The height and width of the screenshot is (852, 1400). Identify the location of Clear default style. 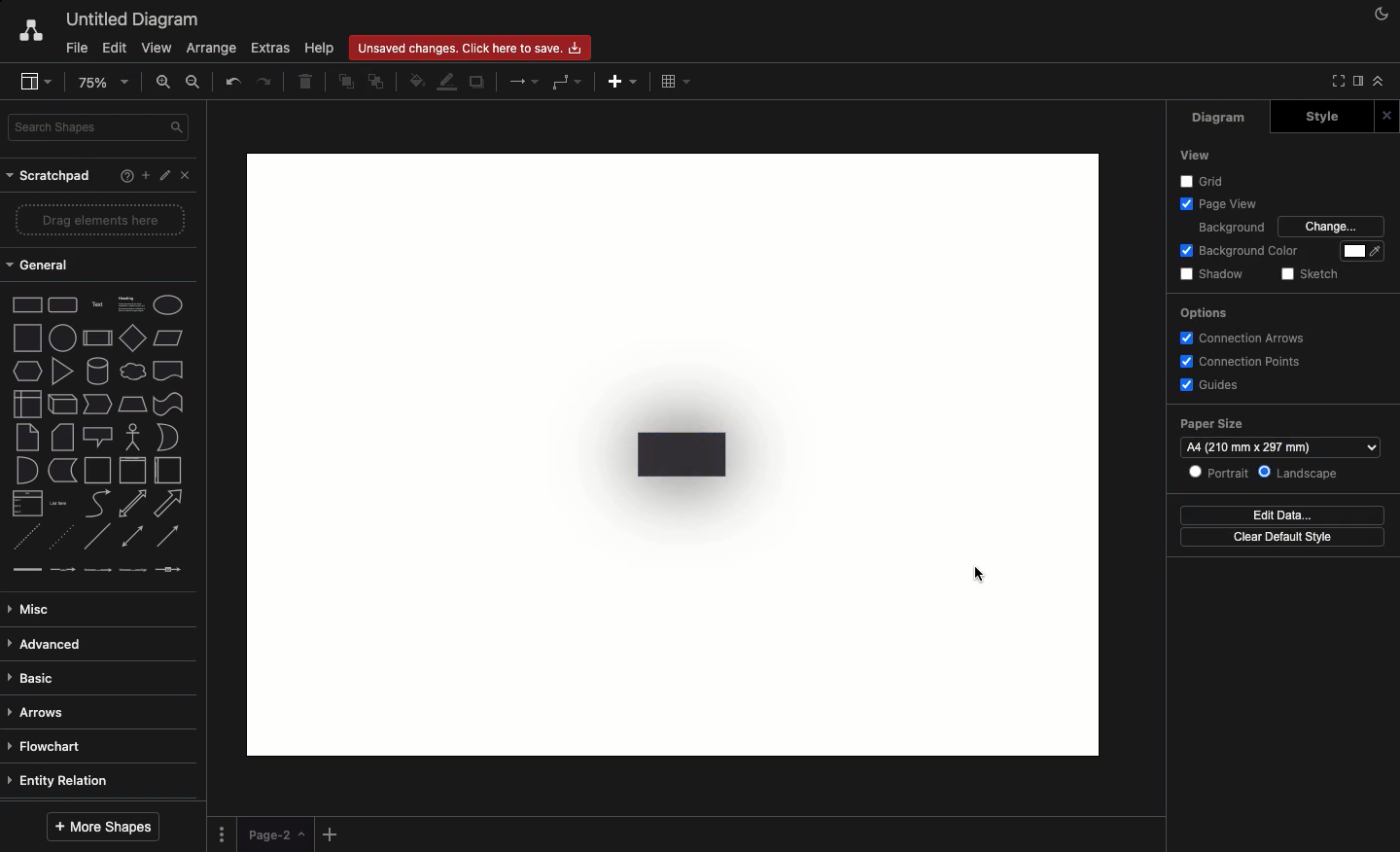
(1285, 538).